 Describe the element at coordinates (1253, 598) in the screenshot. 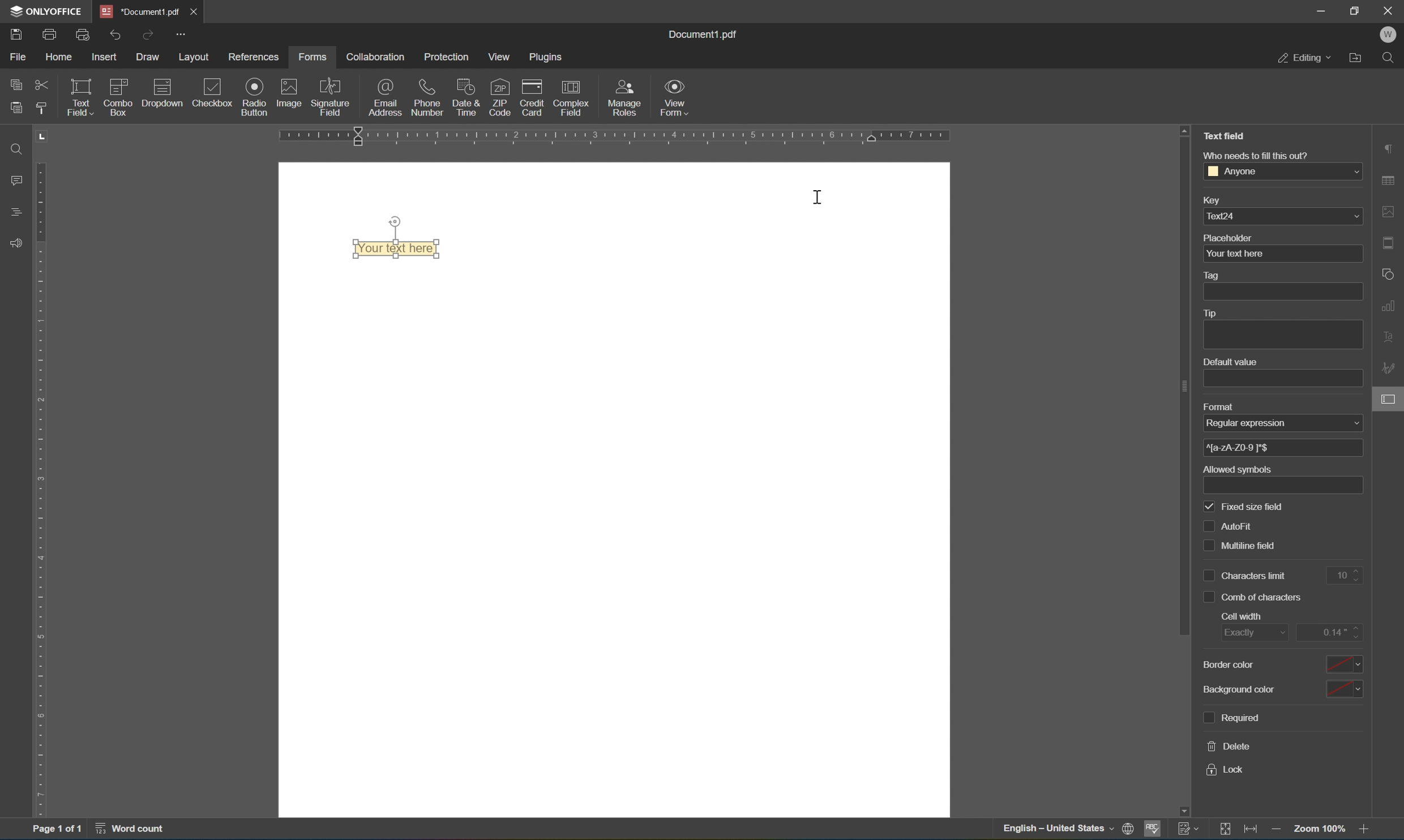

I see `comb of characters` at that location.